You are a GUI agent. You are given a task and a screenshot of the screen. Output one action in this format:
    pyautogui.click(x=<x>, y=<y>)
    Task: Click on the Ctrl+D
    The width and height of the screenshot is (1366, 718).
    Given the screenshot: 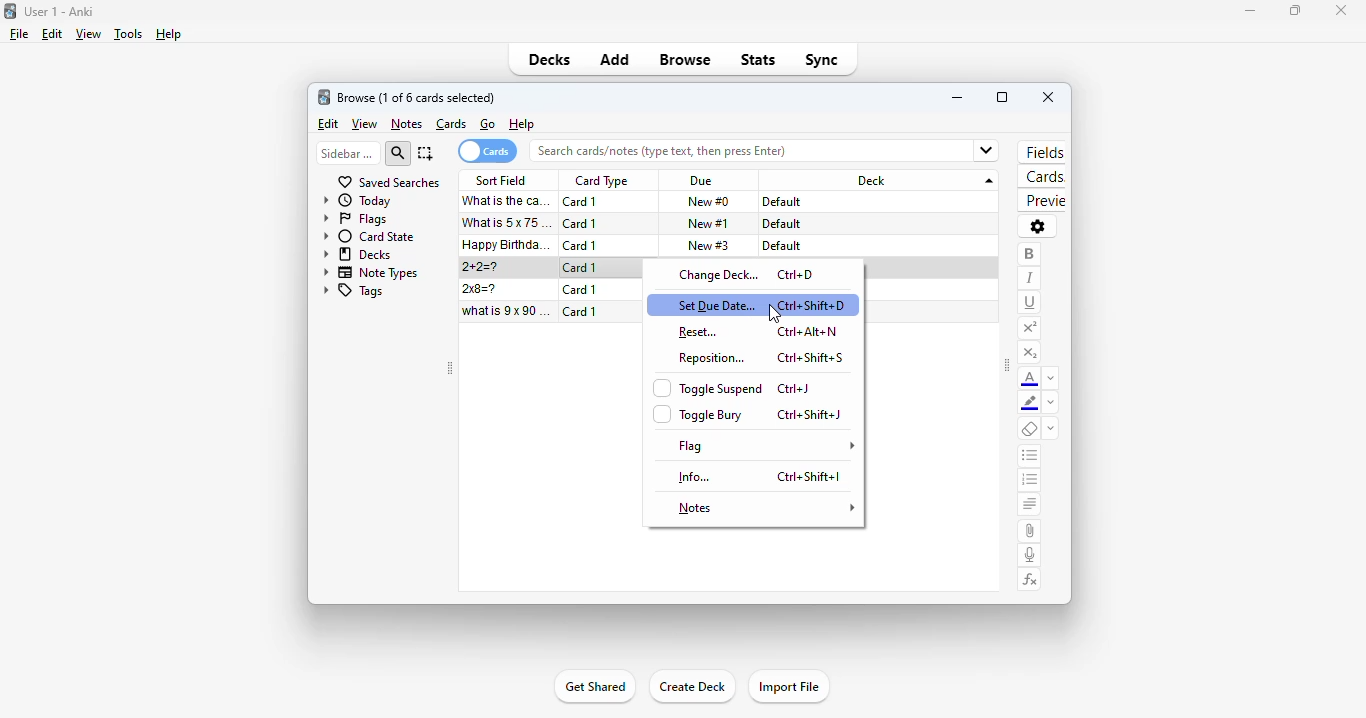 What is the action you would take?
    pyautogui.click(x=797, y=275)
    